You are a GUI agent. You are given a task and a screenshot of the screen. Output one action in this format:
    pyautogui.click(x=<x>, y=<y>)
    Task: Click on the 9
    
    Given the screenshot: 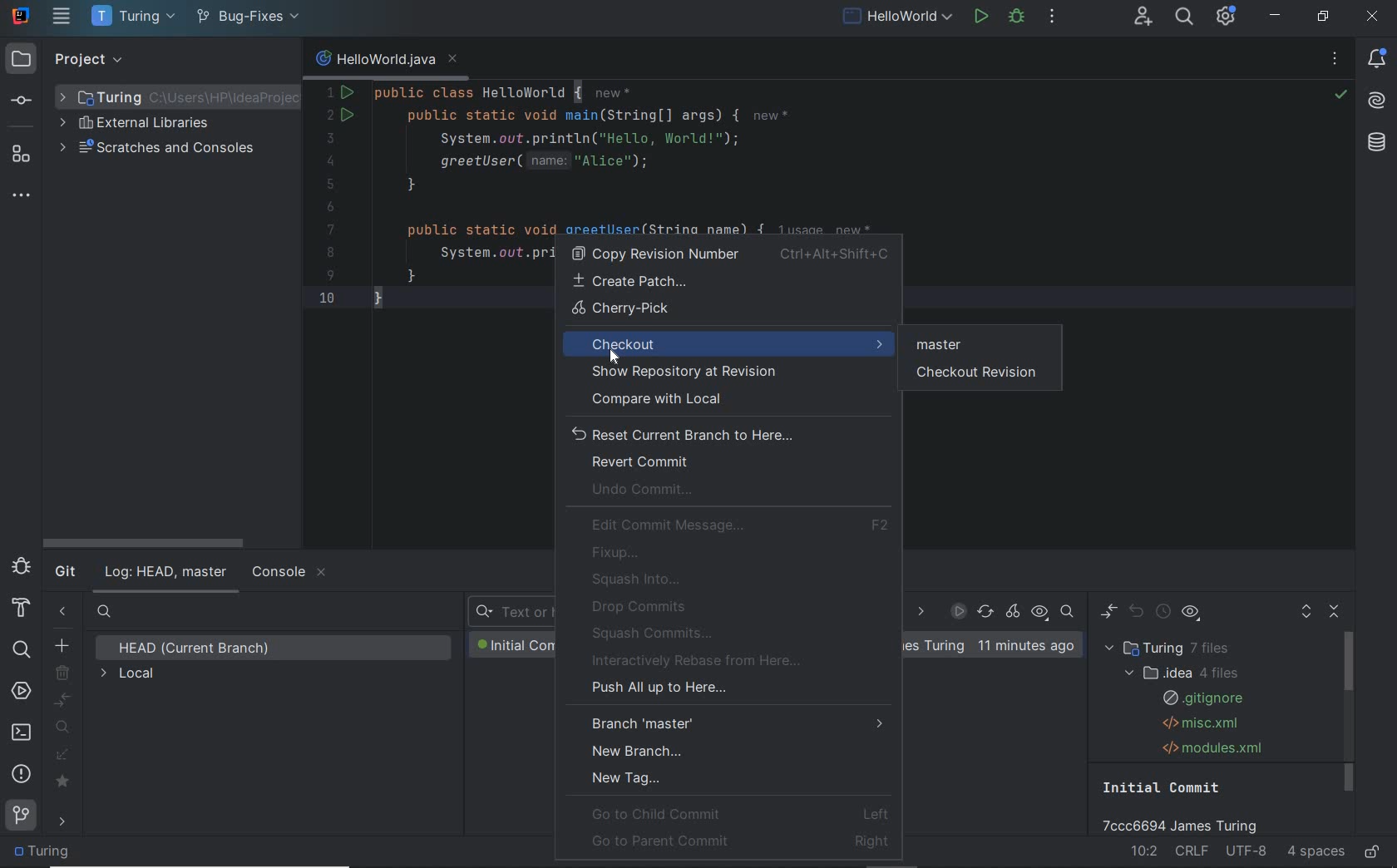 What is the action you would take?
    pyautogui.click(x=330, y=275)
    